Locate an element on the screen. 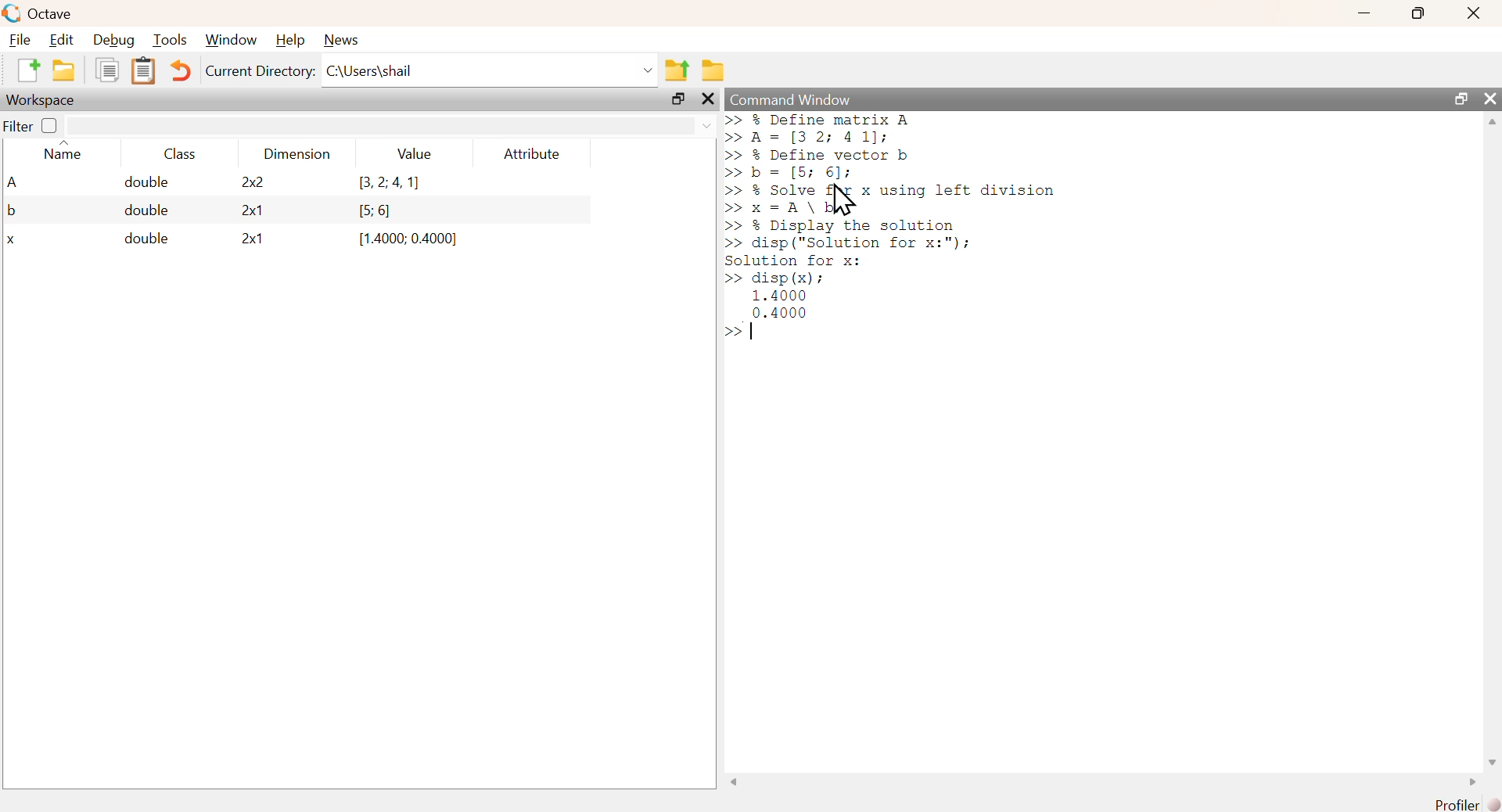 The width and height of the screenshot is (1502, 812). current directory is located at coordinates (260, 73).